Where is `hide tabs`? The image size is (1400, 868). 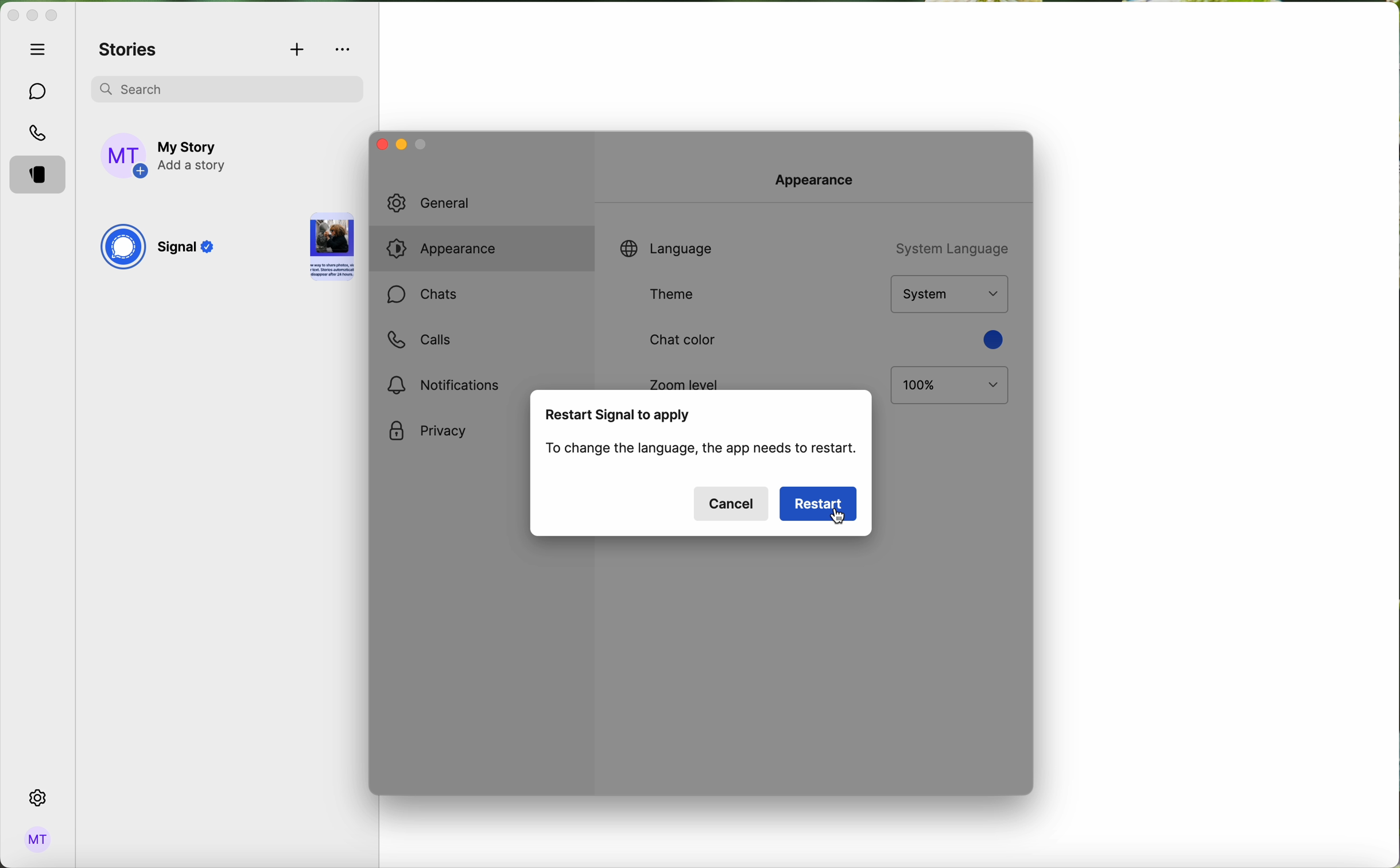
hide tabs is located at coordinates (41, 49).